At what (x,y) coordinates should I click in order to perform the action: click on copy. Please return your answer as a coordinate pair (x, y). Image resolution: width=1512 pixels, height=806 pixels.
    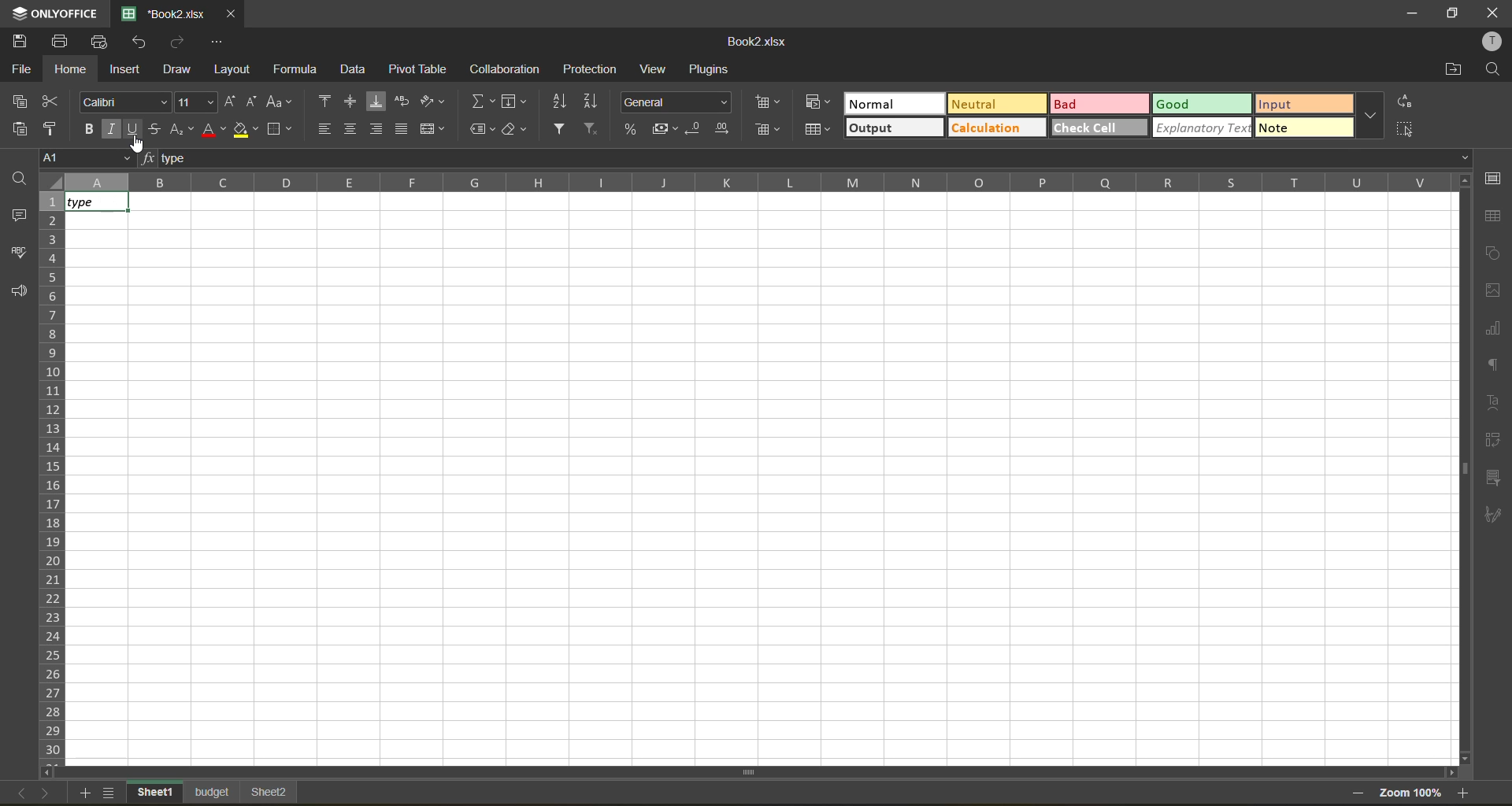
    Looking at the image, I should click on (28, 102).